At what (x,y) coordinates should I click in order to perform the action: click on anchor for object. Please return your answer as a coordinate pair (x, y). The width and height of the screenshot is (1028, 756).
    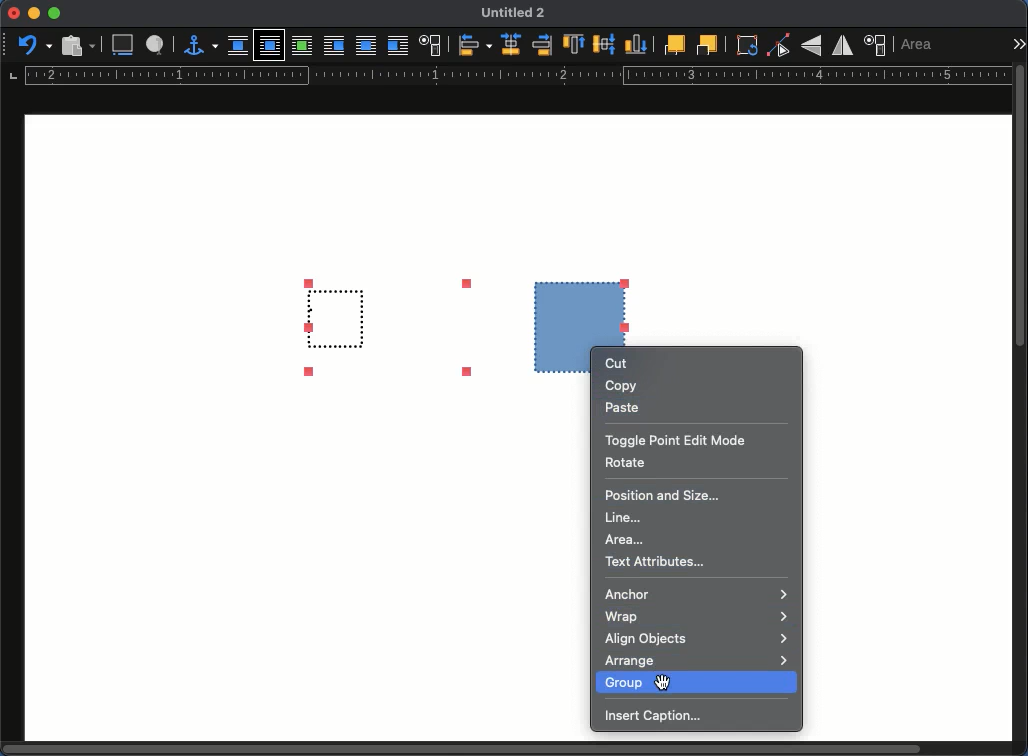
    Looking at the image, I should click on (202, 48).